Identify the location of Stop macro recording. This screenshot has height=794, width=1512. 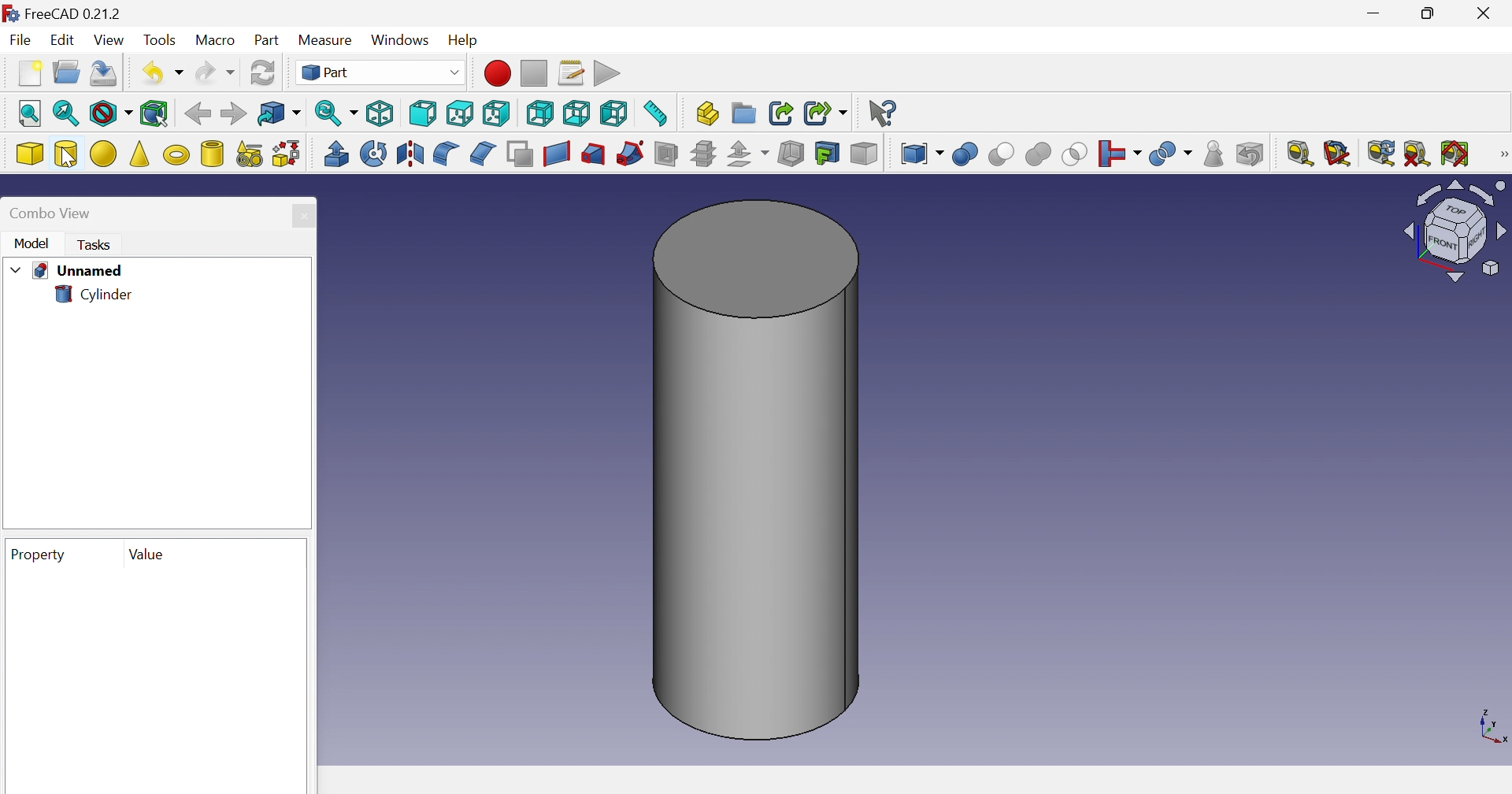
(535, 73).